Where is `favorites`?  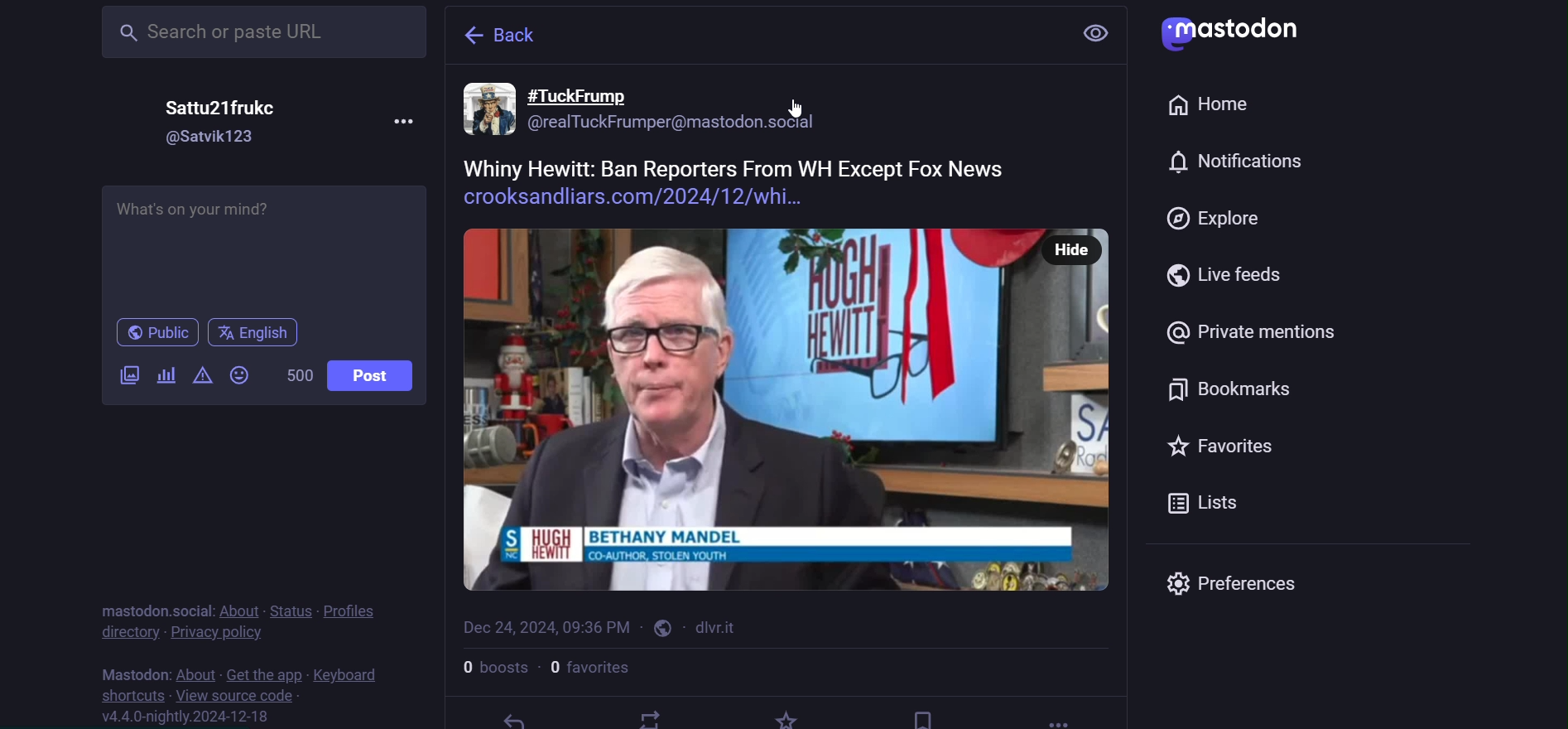
favorites is located at coordinates (591, 667).